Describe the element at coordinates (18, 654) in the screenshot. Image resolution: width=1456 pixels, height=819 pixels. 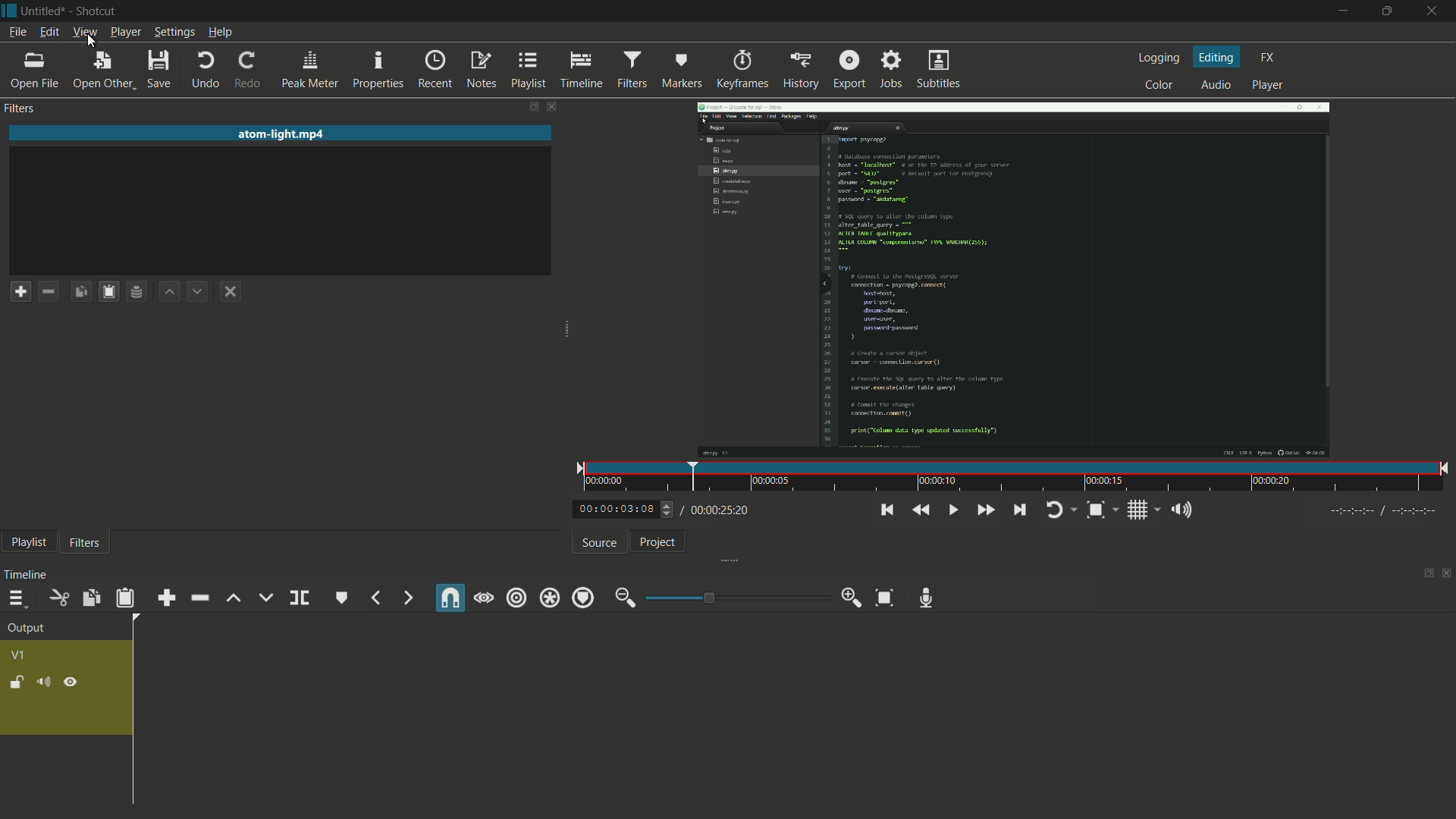
I see `v1` at that location.